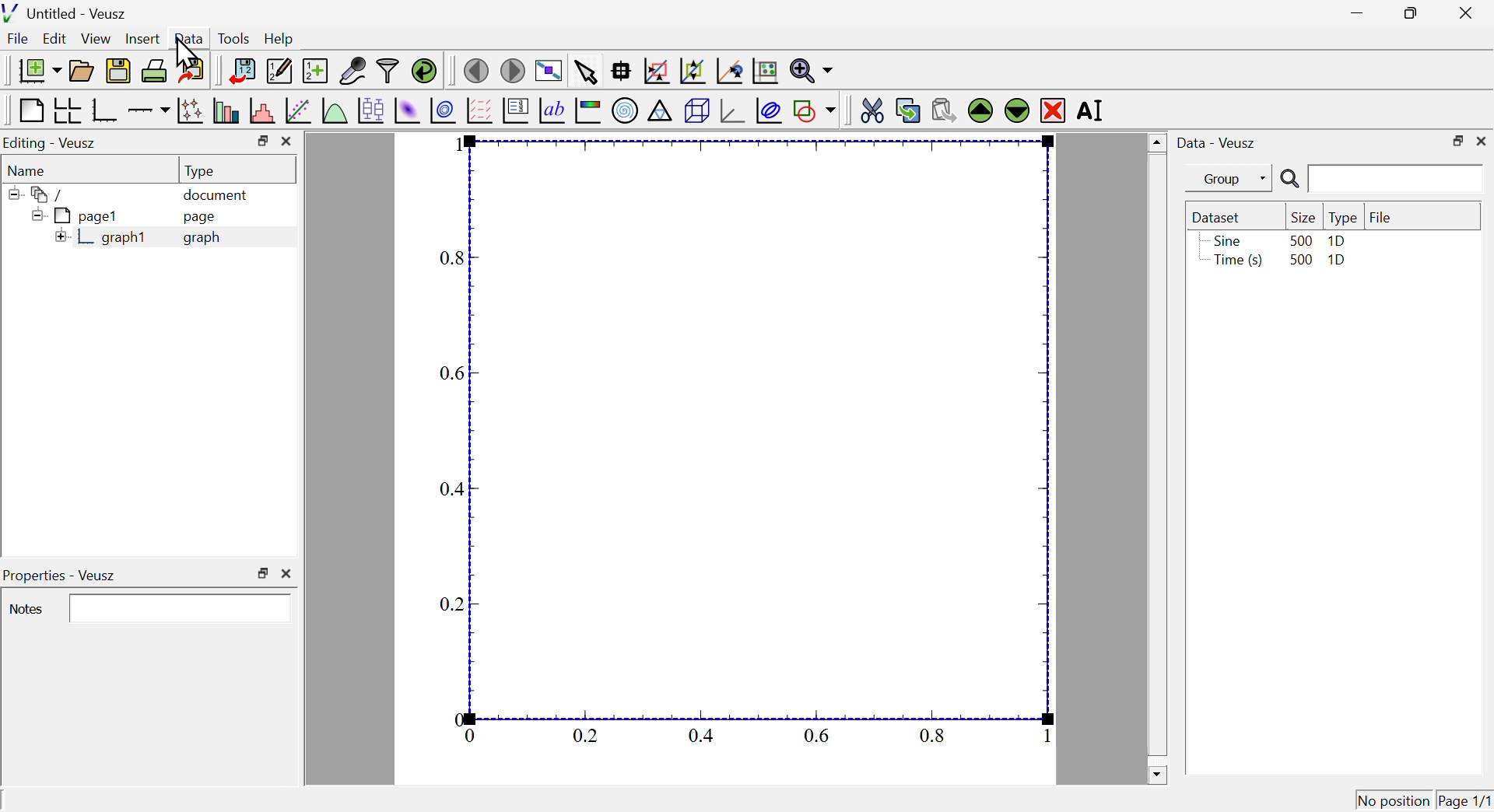  What do you see at coordinates (626, 111) in the screenshot?
I see `polar graph` at bounding box center [626, 111].